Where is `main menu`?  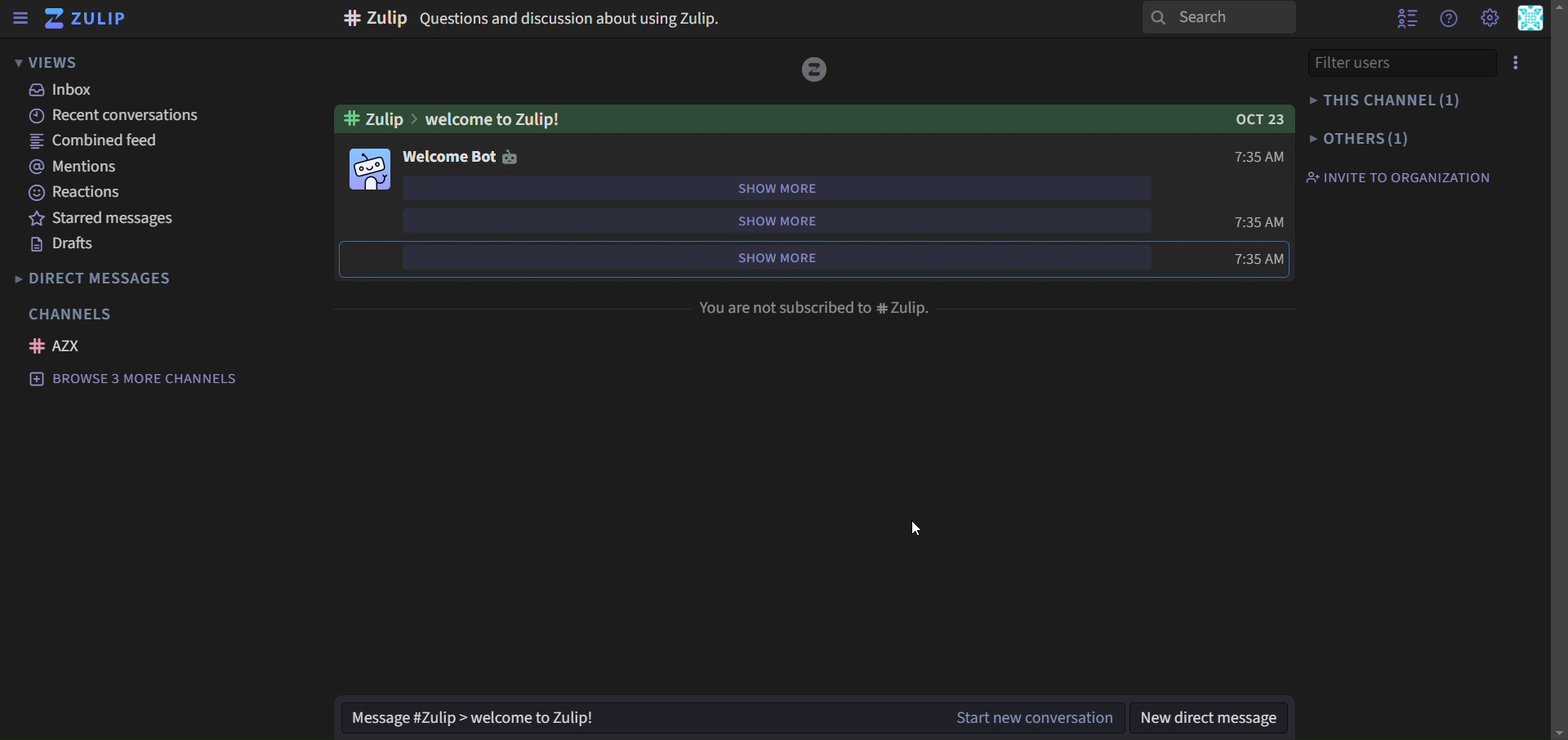 main menu is located at coordinates (1490, 17).